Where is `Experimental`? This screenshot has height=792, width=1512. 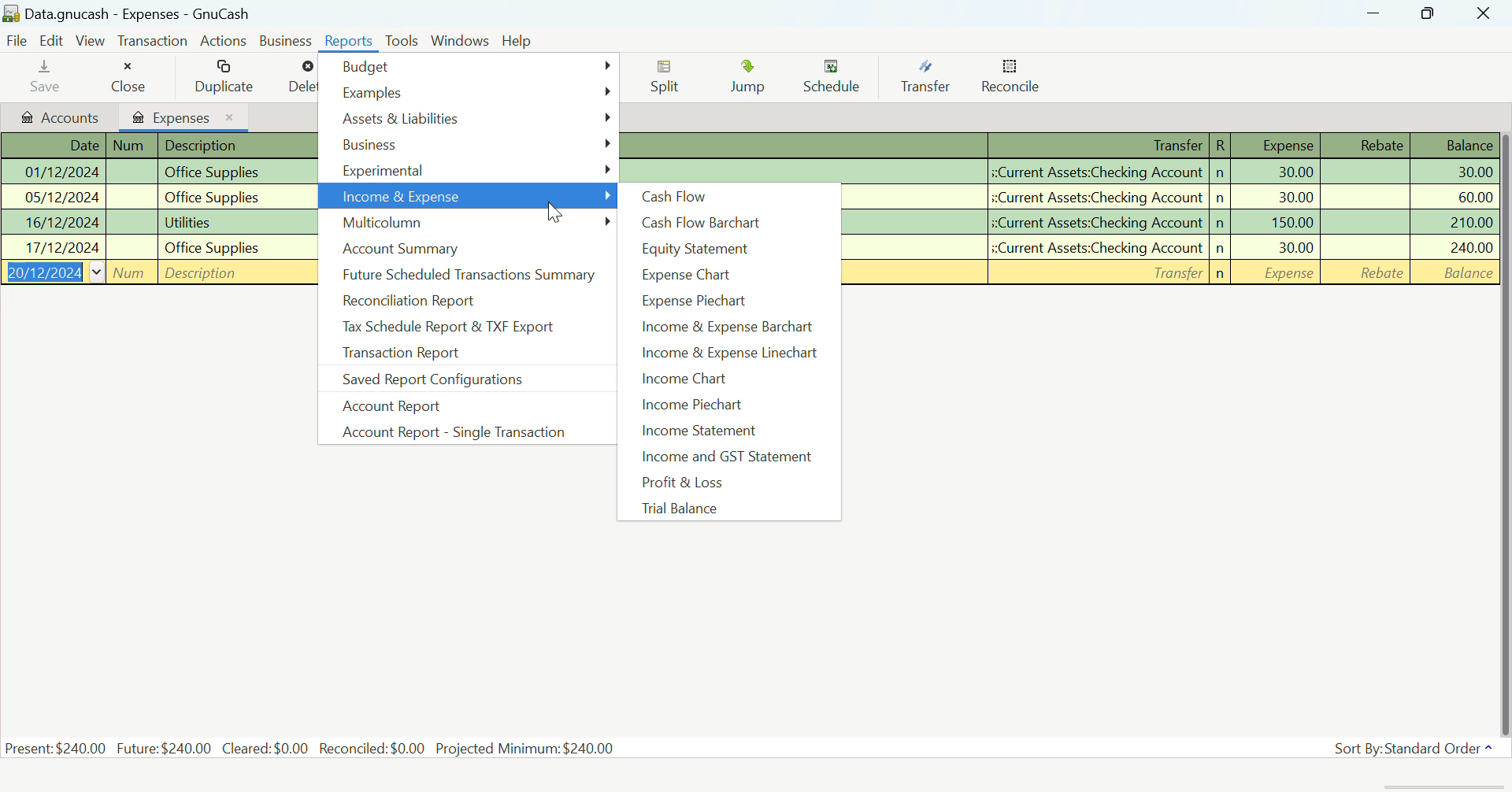 Experimental is located at coordinates (468, 172).